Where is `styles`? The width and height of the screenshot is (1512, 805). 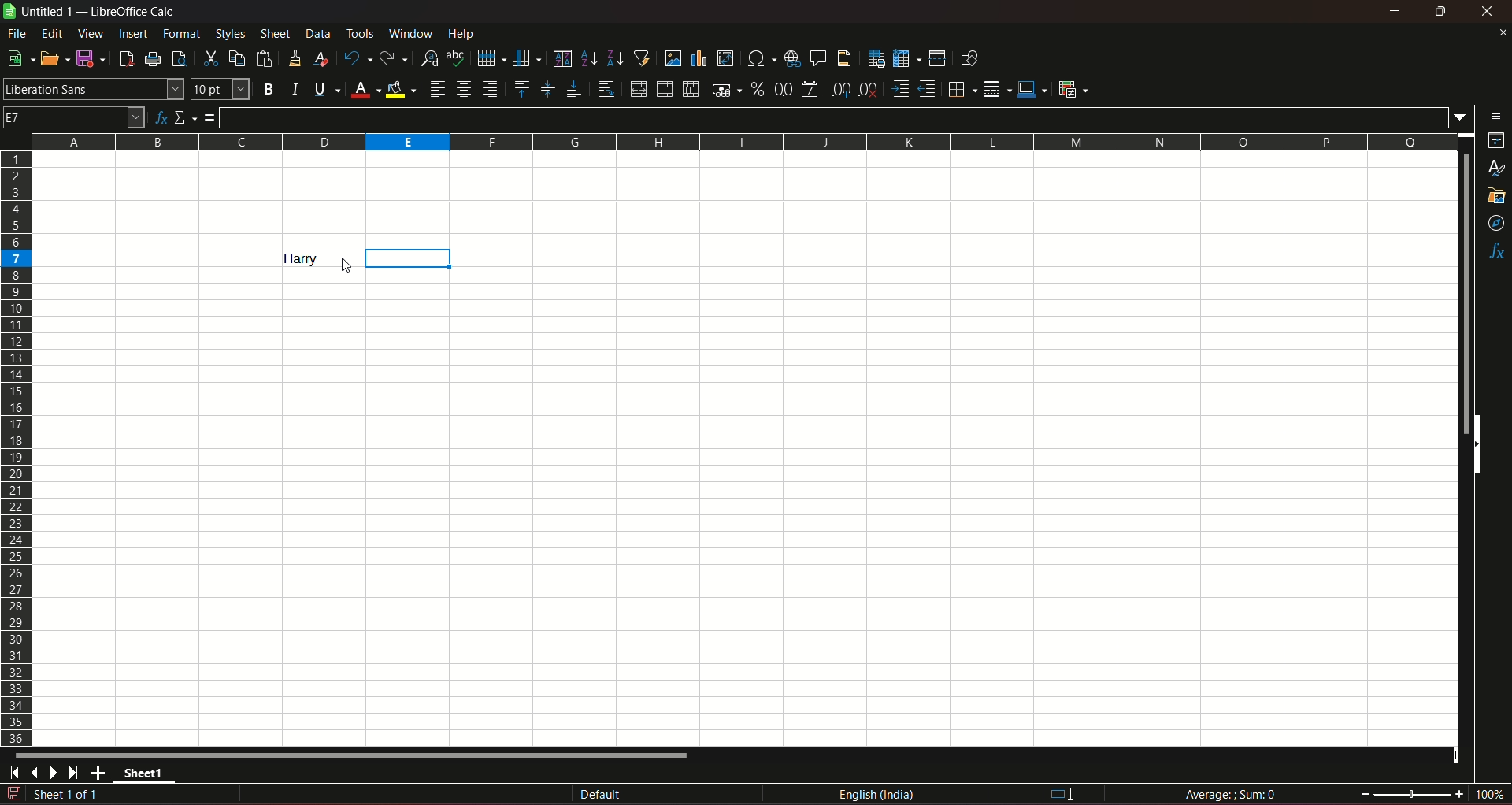
styles is located at coordinates (1498, 169).